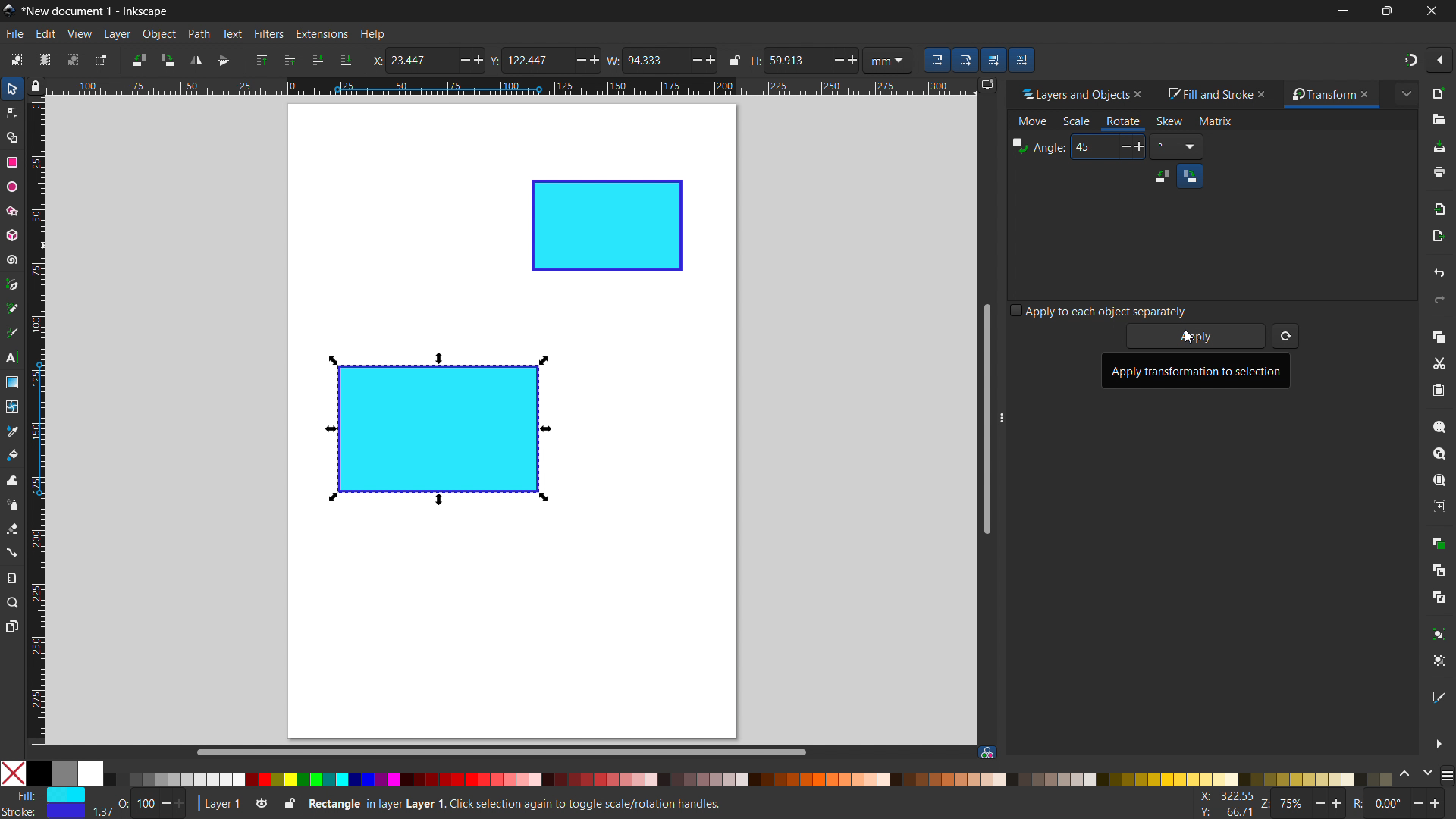 This screenshot has height=819, width=1456. Describe the element at coordinates (1162, 176) in the screenshot. I see `counterclockwise` at that location.